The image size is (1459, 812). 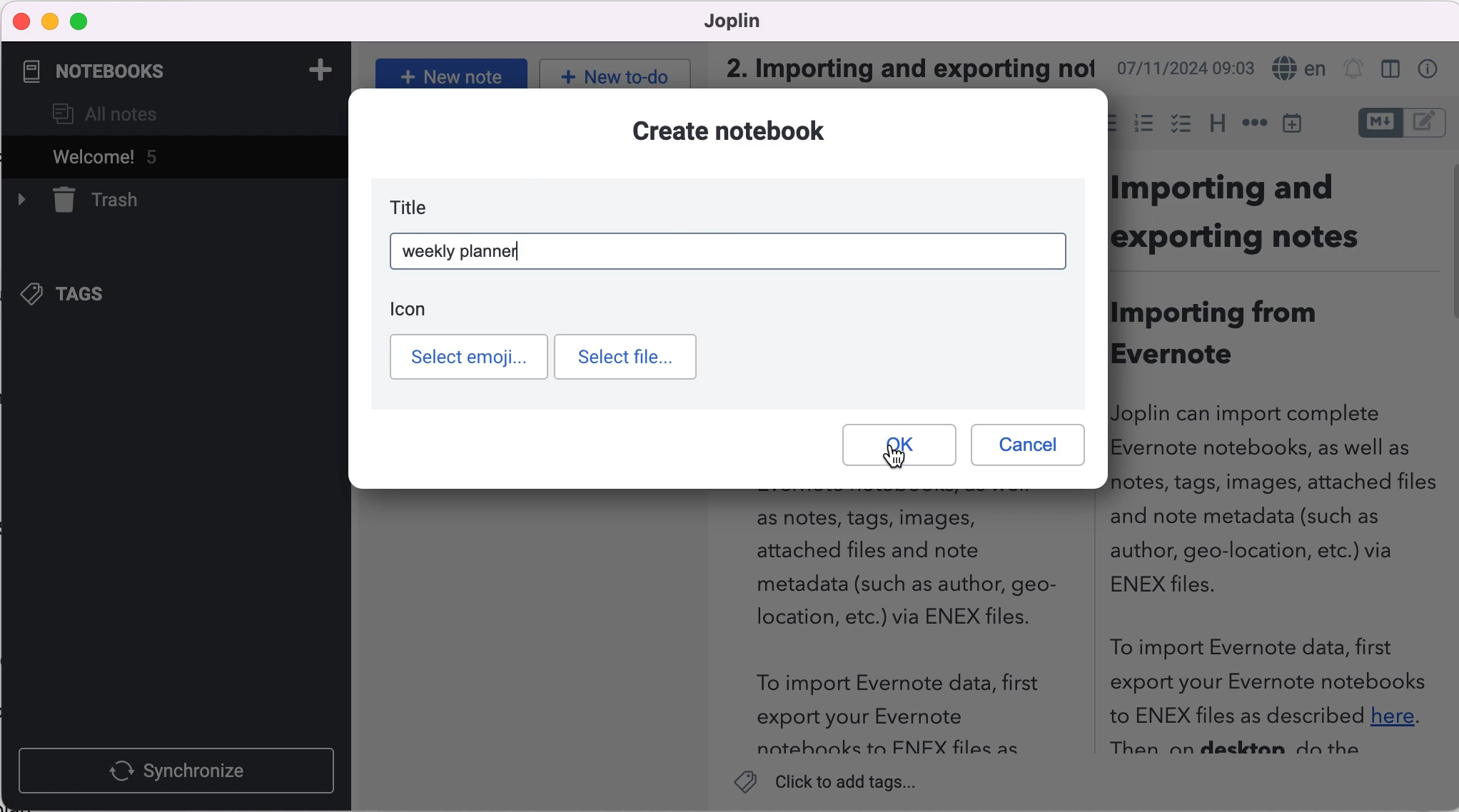 I want to click on click to add tags, so click(x=836, y=785).